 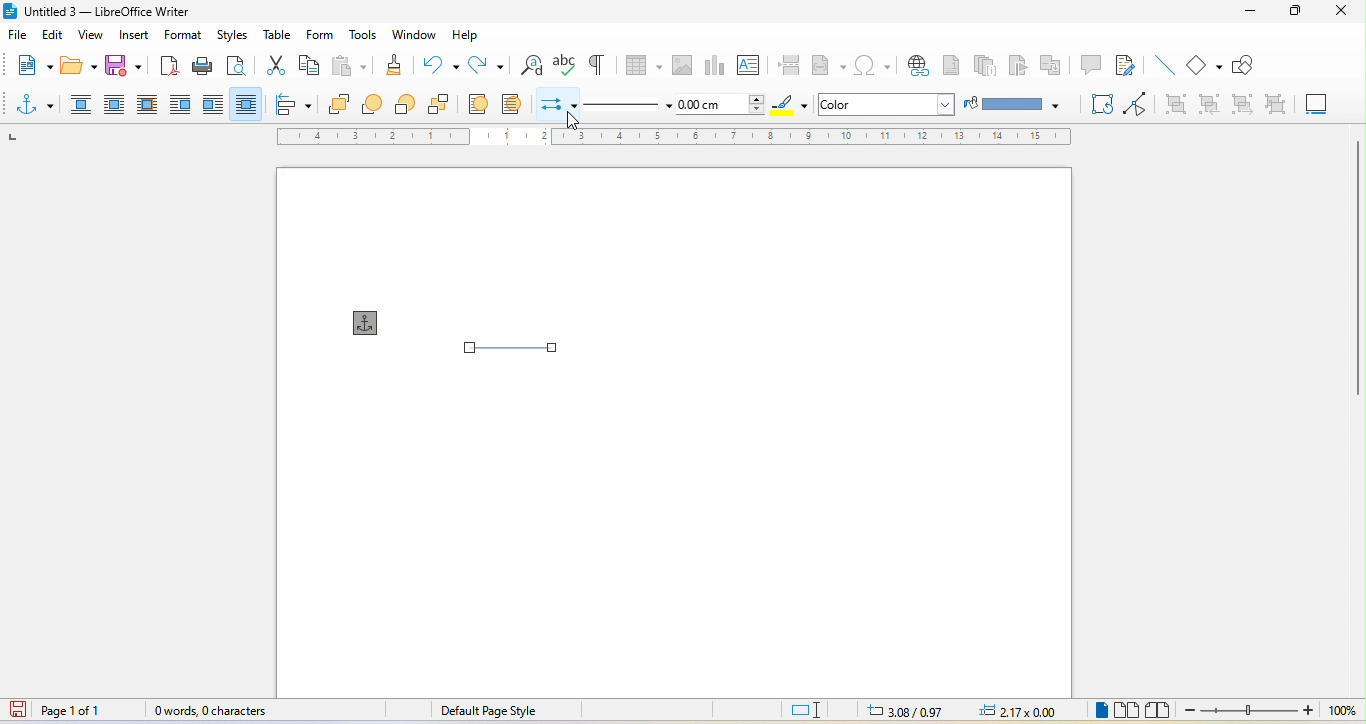 I want to click on to background, so click(x=516, y=103).